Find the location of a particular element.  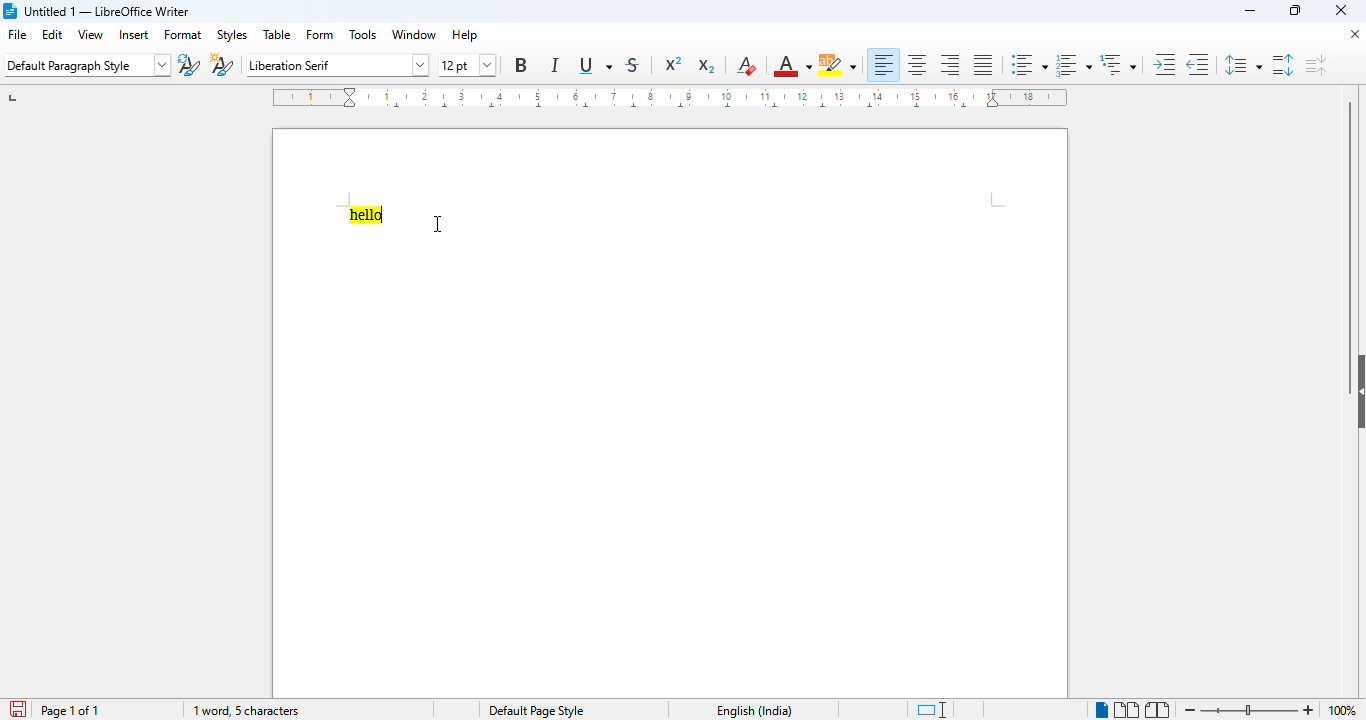

align center is located at coordinates (917, 64).